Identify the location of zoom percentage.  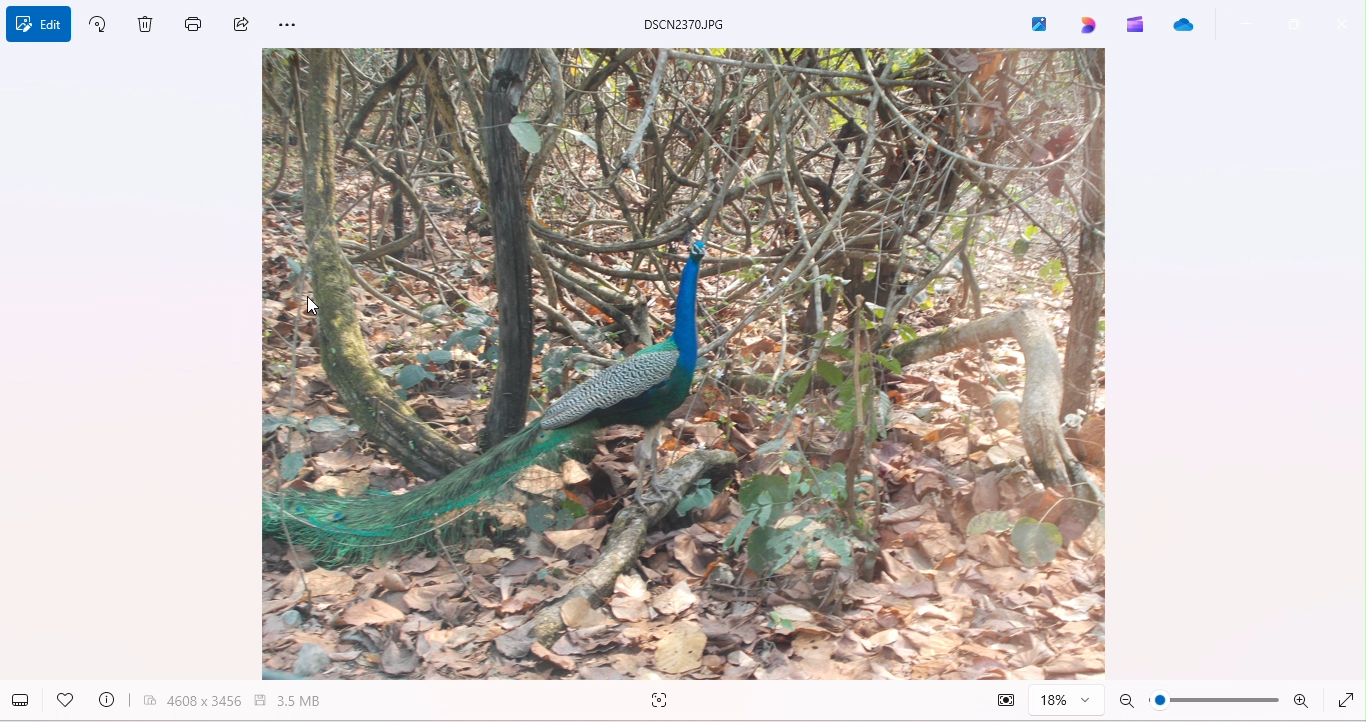
(1066, 702).